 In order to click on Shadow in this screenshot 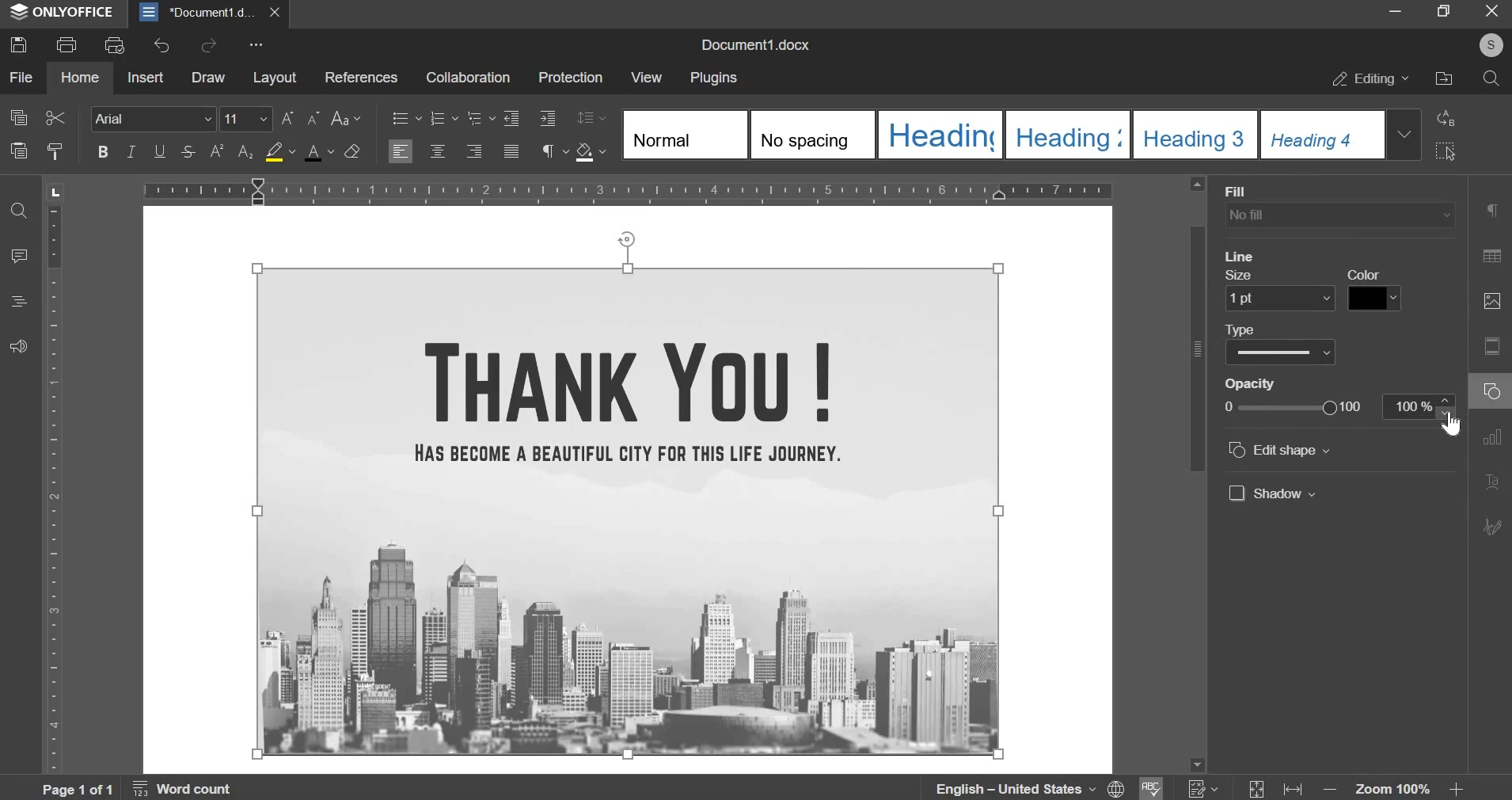, I will do `click(1274, 493)`.